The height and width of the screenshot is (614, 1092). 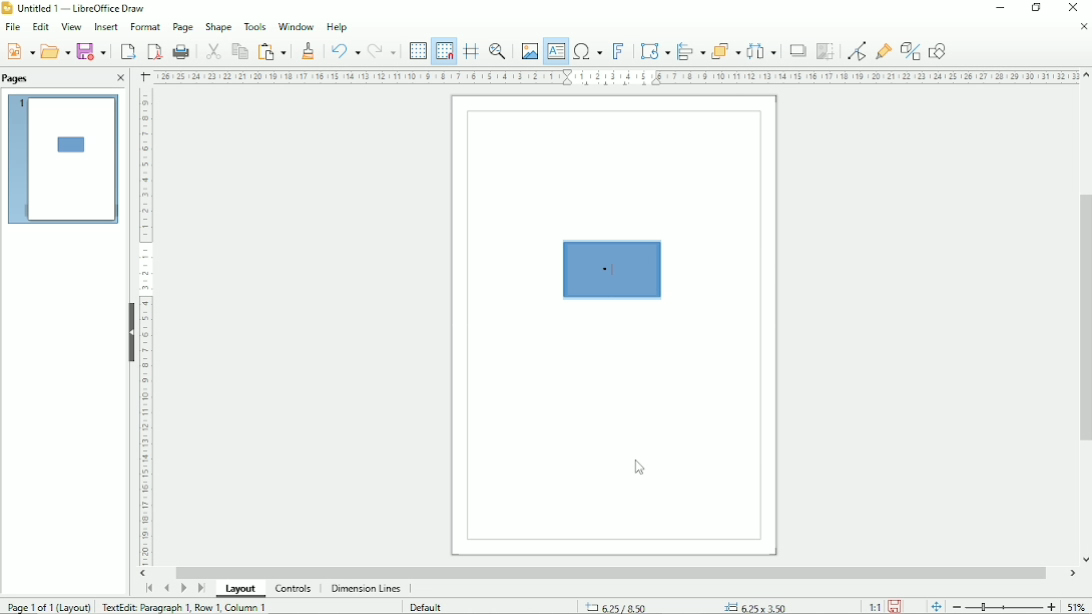 What do you see at coordinates (895, 607) in the screenshot?
I see `Save` at bounding box center [895, 607].